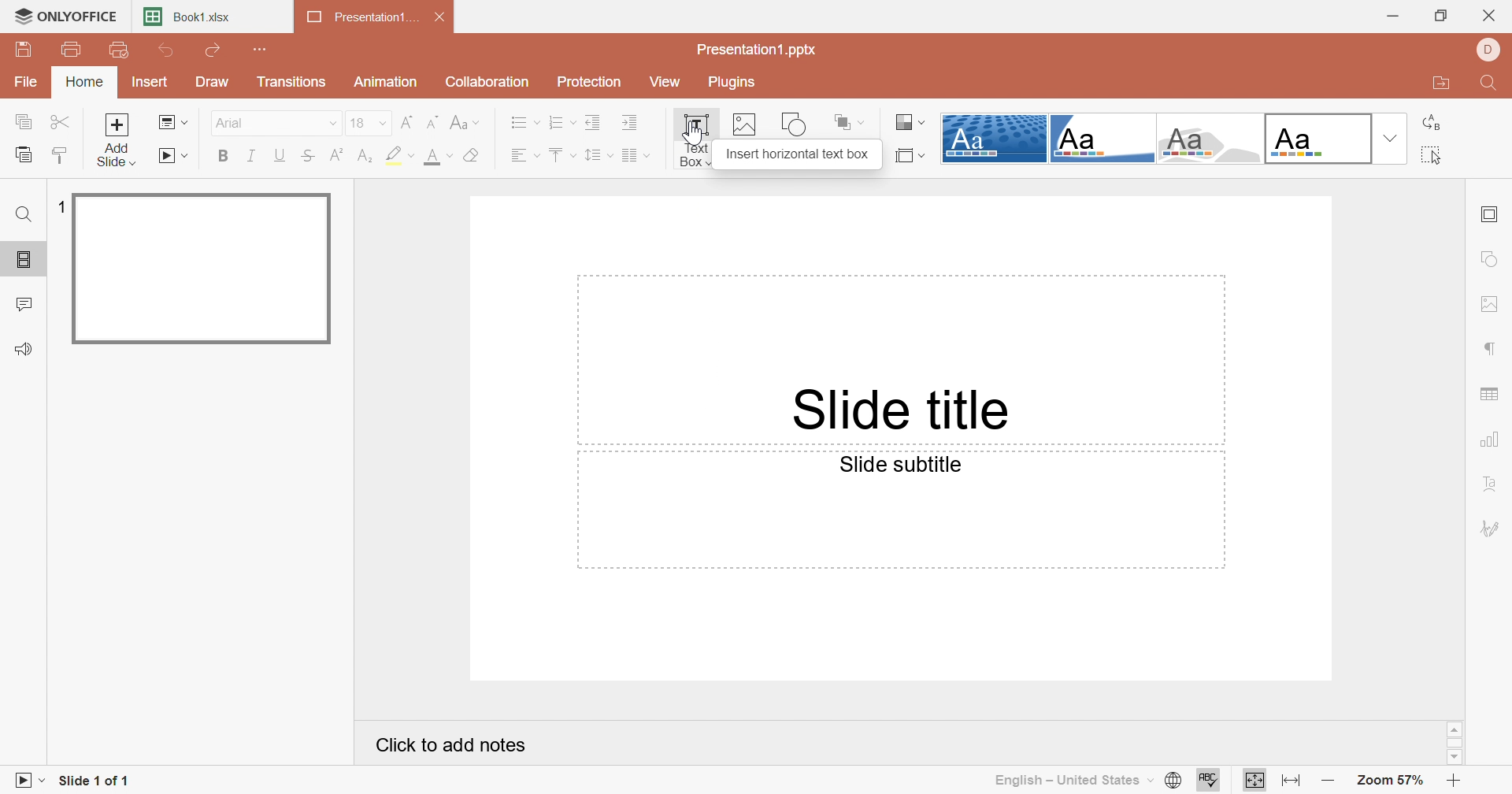 This screenshot has width=1512, height=794. Describe the element at coordinates (1102, 139) in the screenshot. I see `Corner` at that location.